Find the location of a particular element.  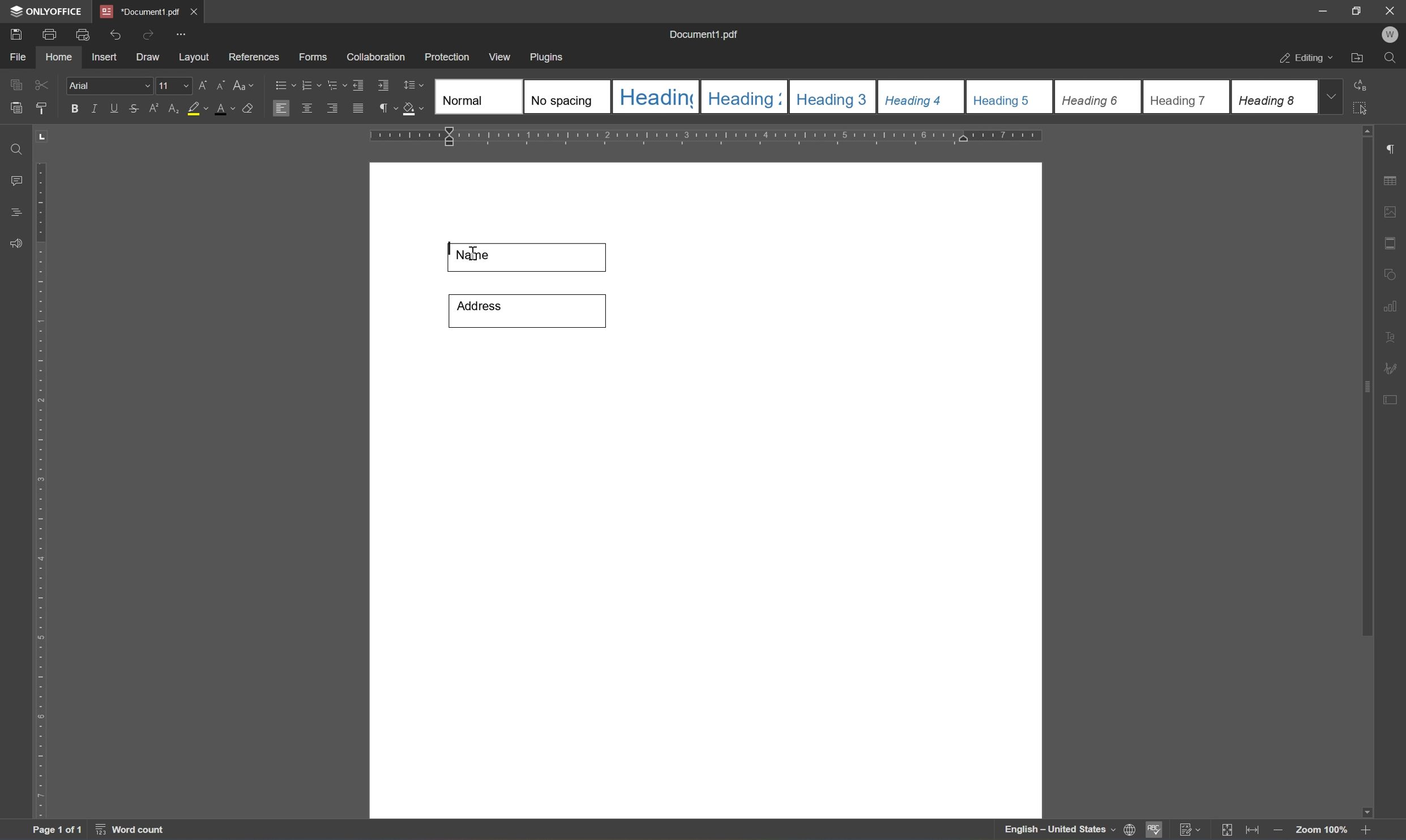

restore down is located at coordinates (1356, 11).